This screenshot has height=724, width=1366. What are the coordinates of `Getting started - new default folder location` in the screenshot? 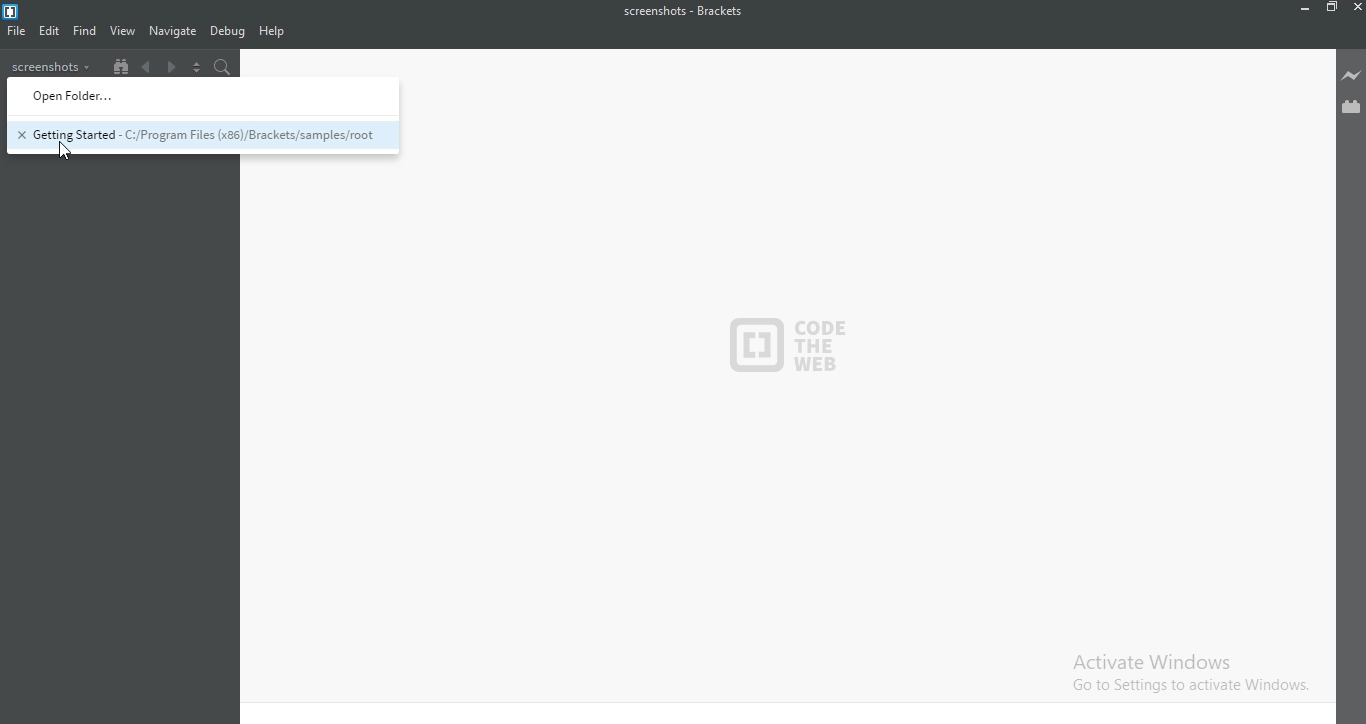 It's located at (200, 137).